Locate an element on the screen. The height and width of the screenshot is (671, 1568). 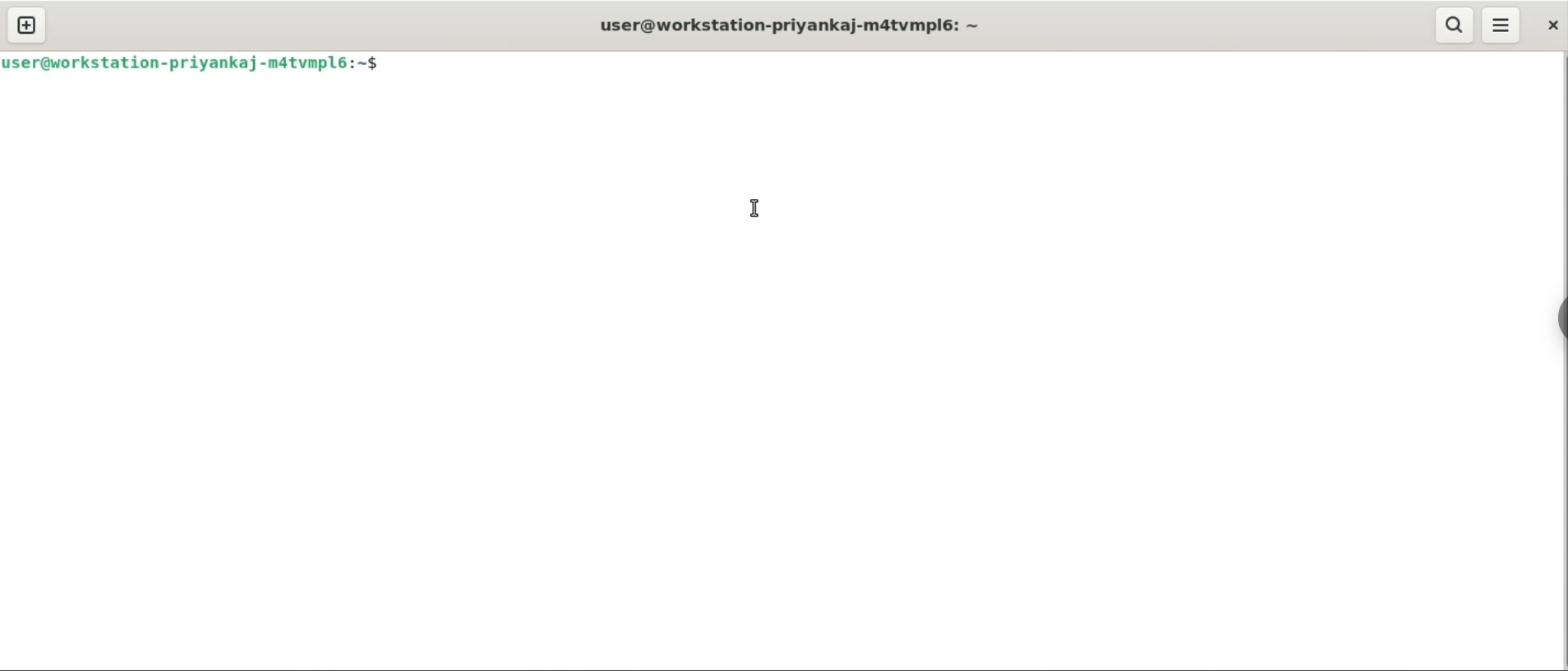
menu is located at coordinates (1502, 26).